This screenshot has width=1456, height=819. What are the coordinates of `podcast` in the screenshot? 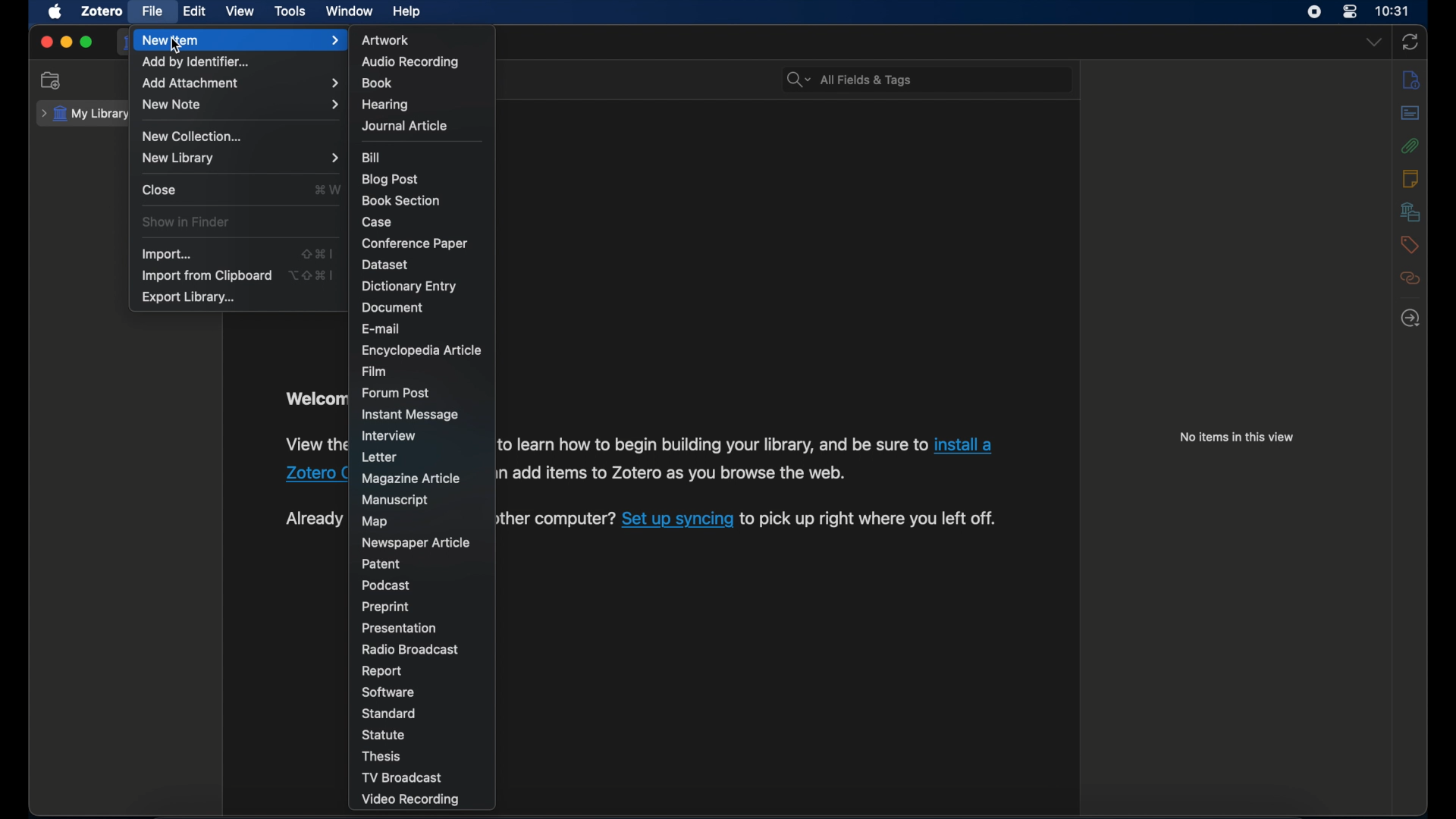 It's located at (386, 585).